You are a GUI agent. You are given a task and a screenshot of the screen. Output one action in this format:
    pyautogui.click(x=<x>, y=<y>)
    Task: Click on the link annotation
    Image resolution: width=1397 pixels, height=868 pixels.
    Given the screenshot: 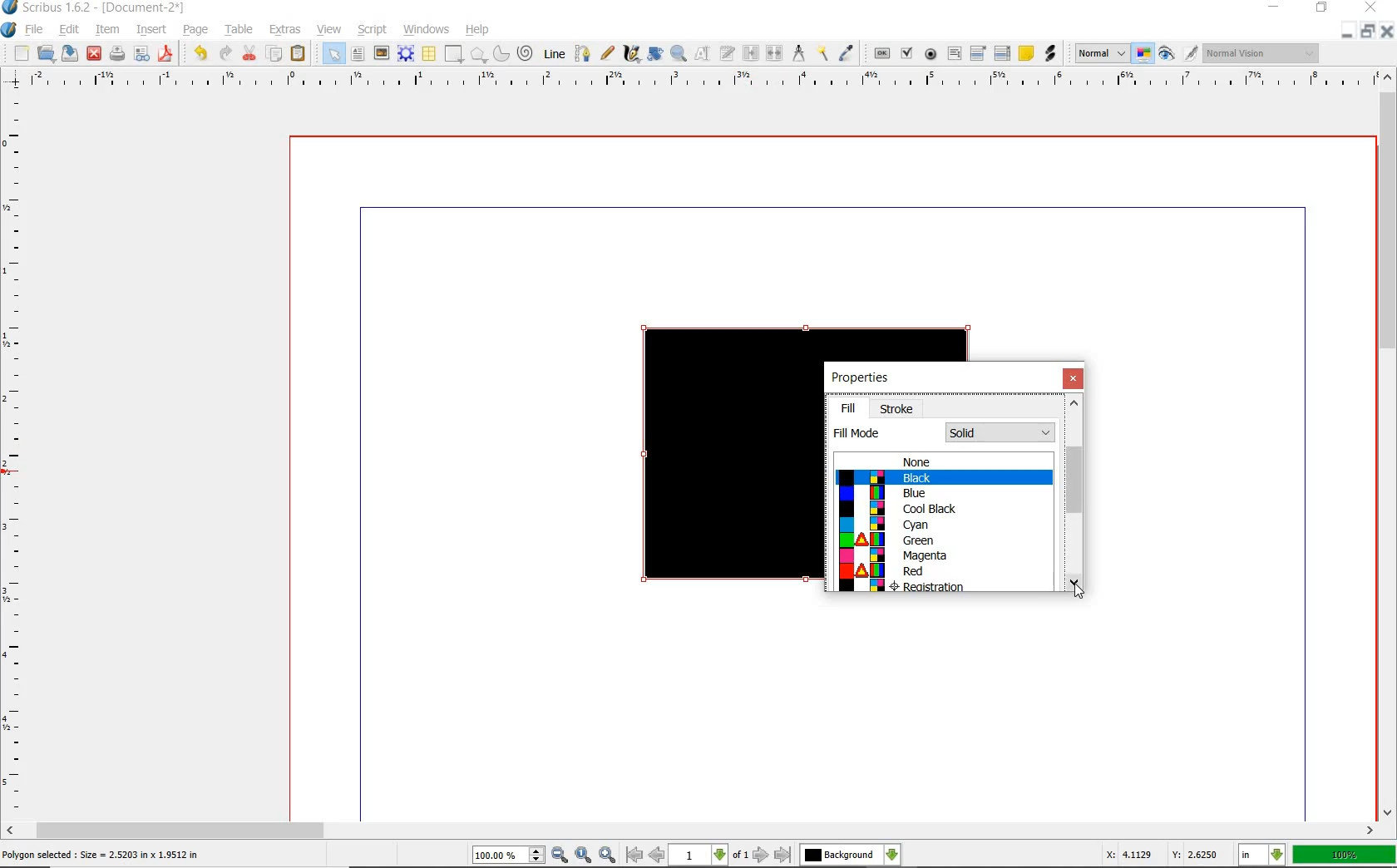 What is the action you would take?
    pyautogui.click(x=1050, y=54)
    